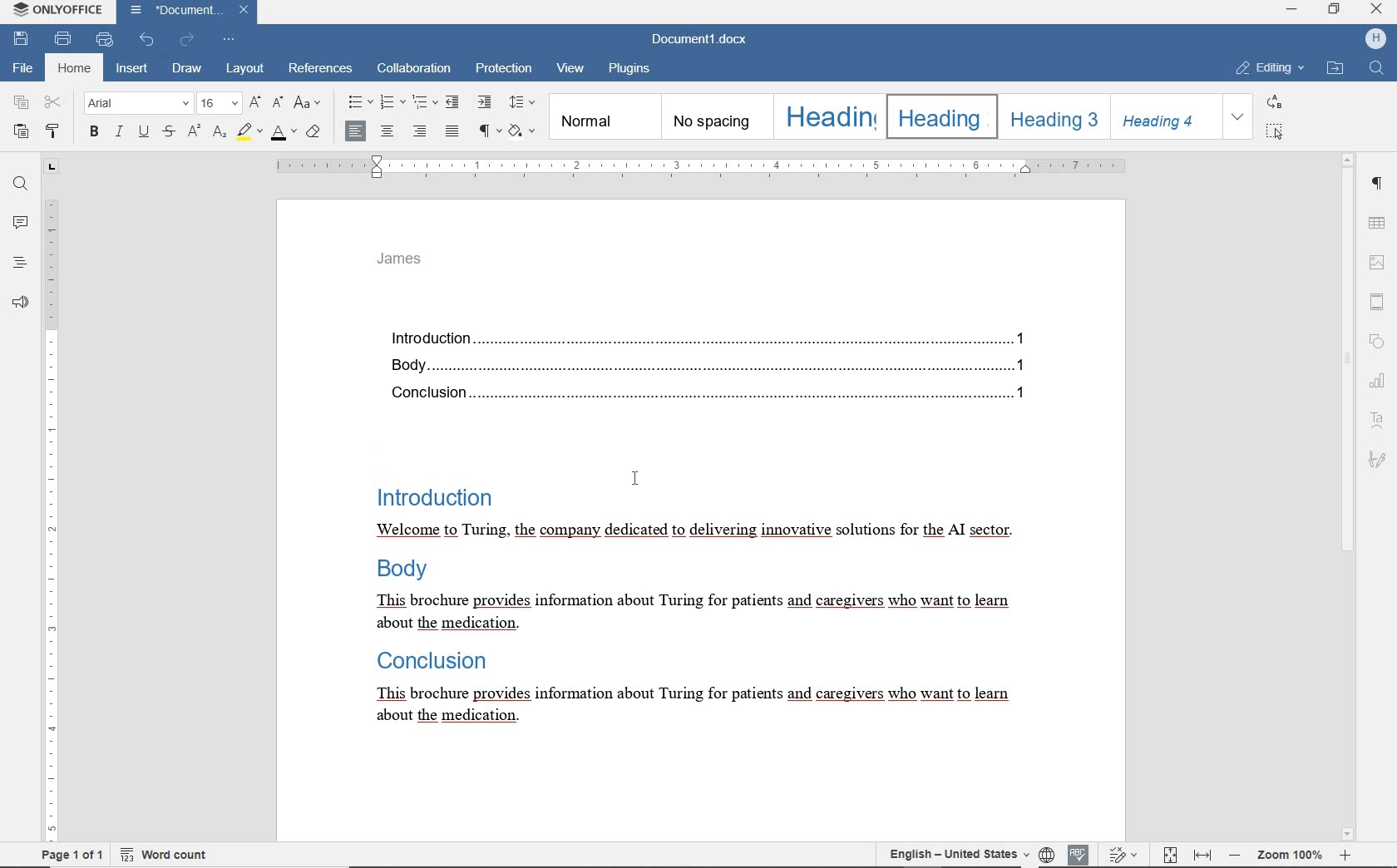 This screenshot has width=1397, height=868. I want to click on numbering, so click(393, 102).